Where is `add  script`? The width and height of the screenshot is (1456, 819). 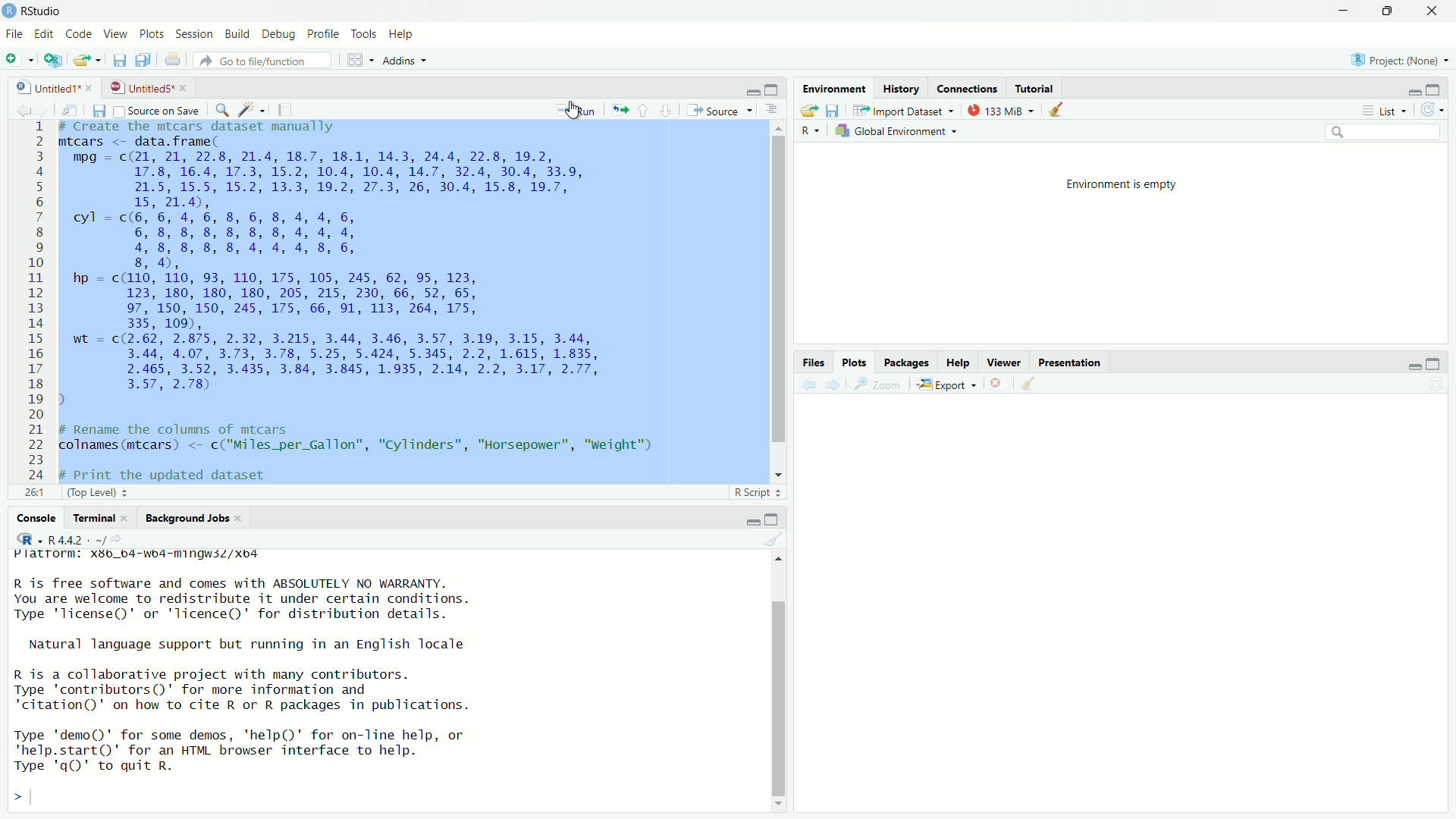
add  script is located at coordinates (52, 65).